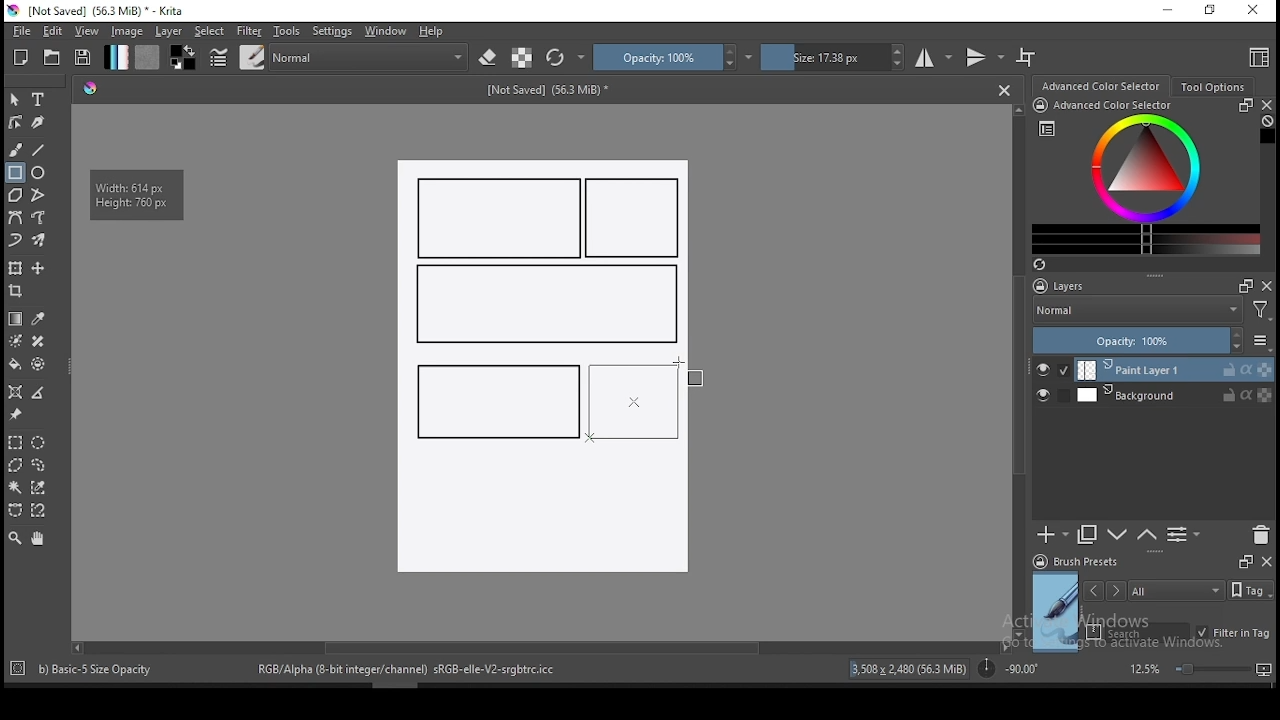 Image resolution: width=1280 pixels, height=720 pixels. What do you see at coordinates (1047, 266) in the screenshot?
I see `Refresh` at bounding box center [1047, 266].